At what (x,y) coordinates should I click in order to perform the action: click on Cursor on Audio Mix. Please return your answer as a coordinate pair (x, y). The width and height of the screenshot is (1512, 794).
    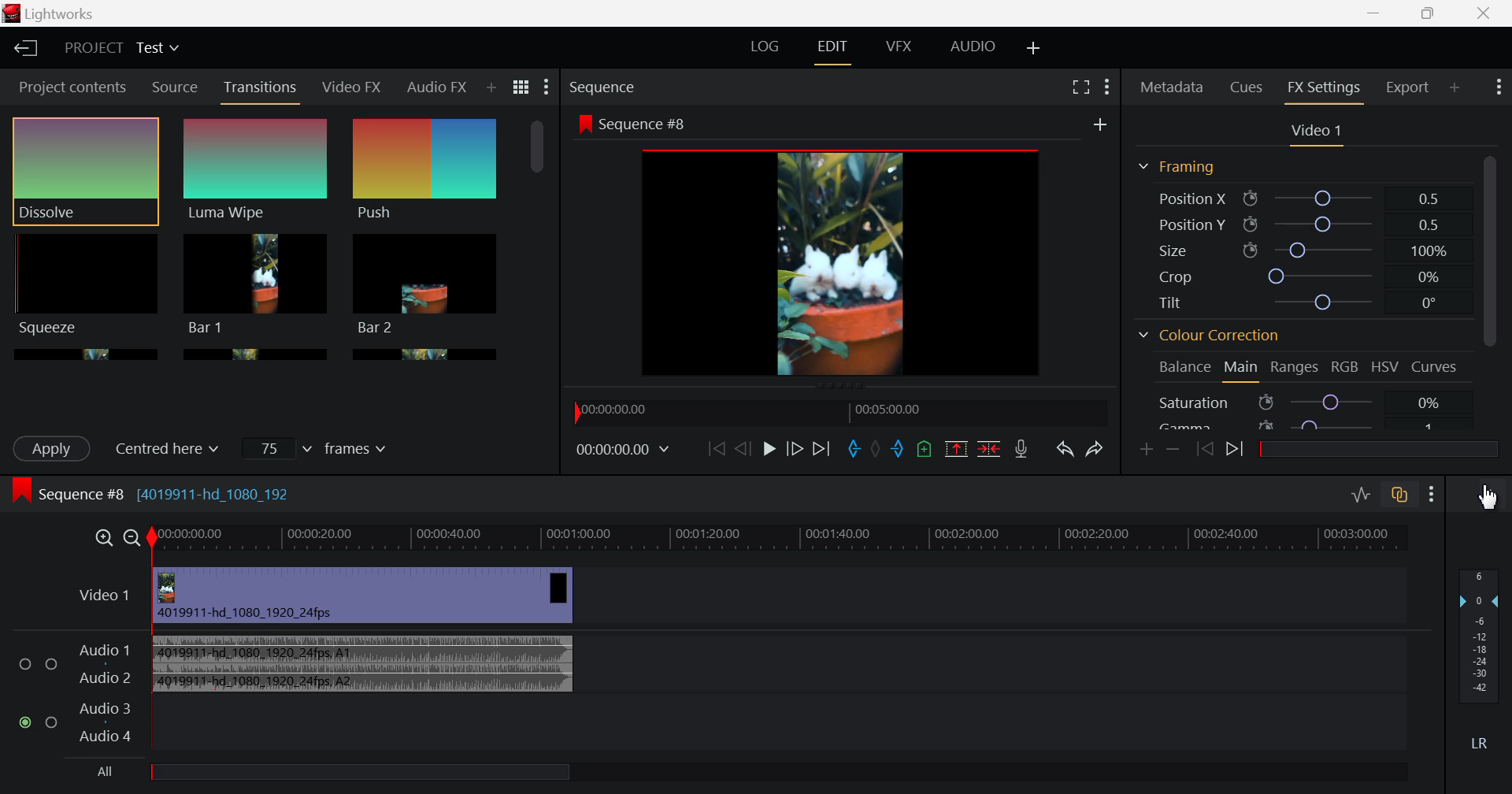
    Looking at the image, I should click on (1484, 495).